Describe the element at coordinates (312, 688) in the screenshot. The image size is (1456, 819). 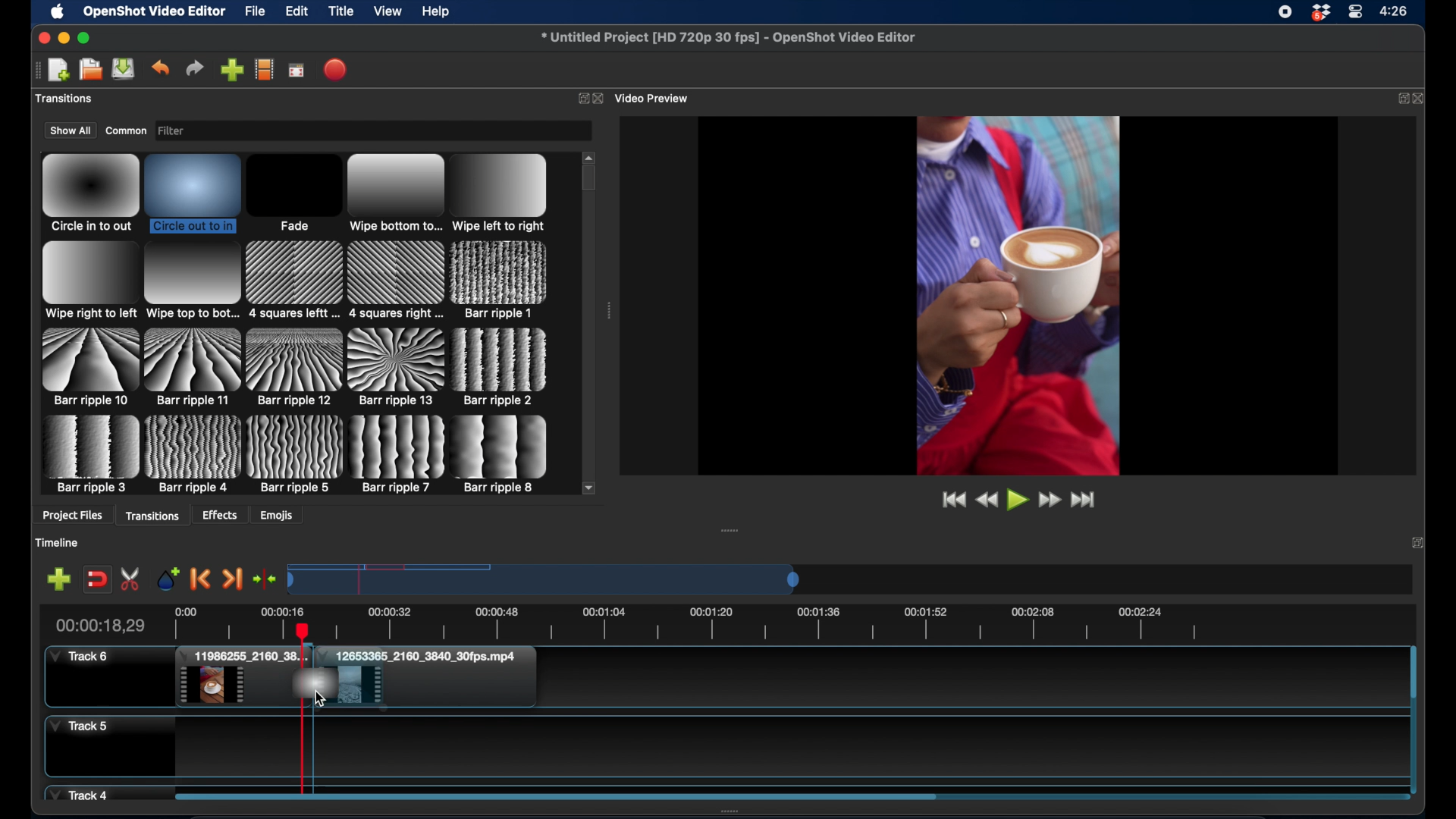
I see `drag cursor` at that location.